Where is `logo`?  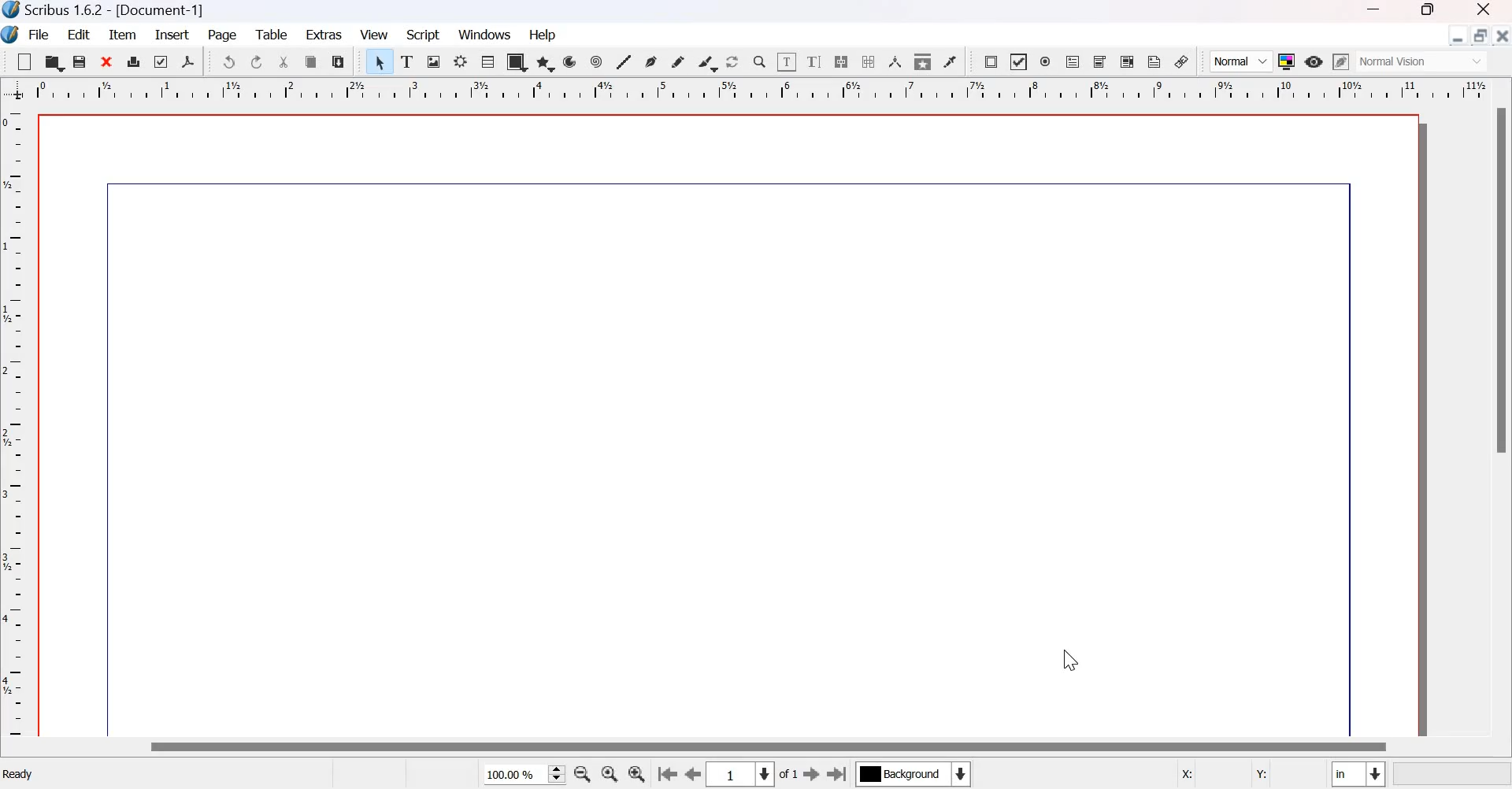 logo is located at coordinates (11, 34).